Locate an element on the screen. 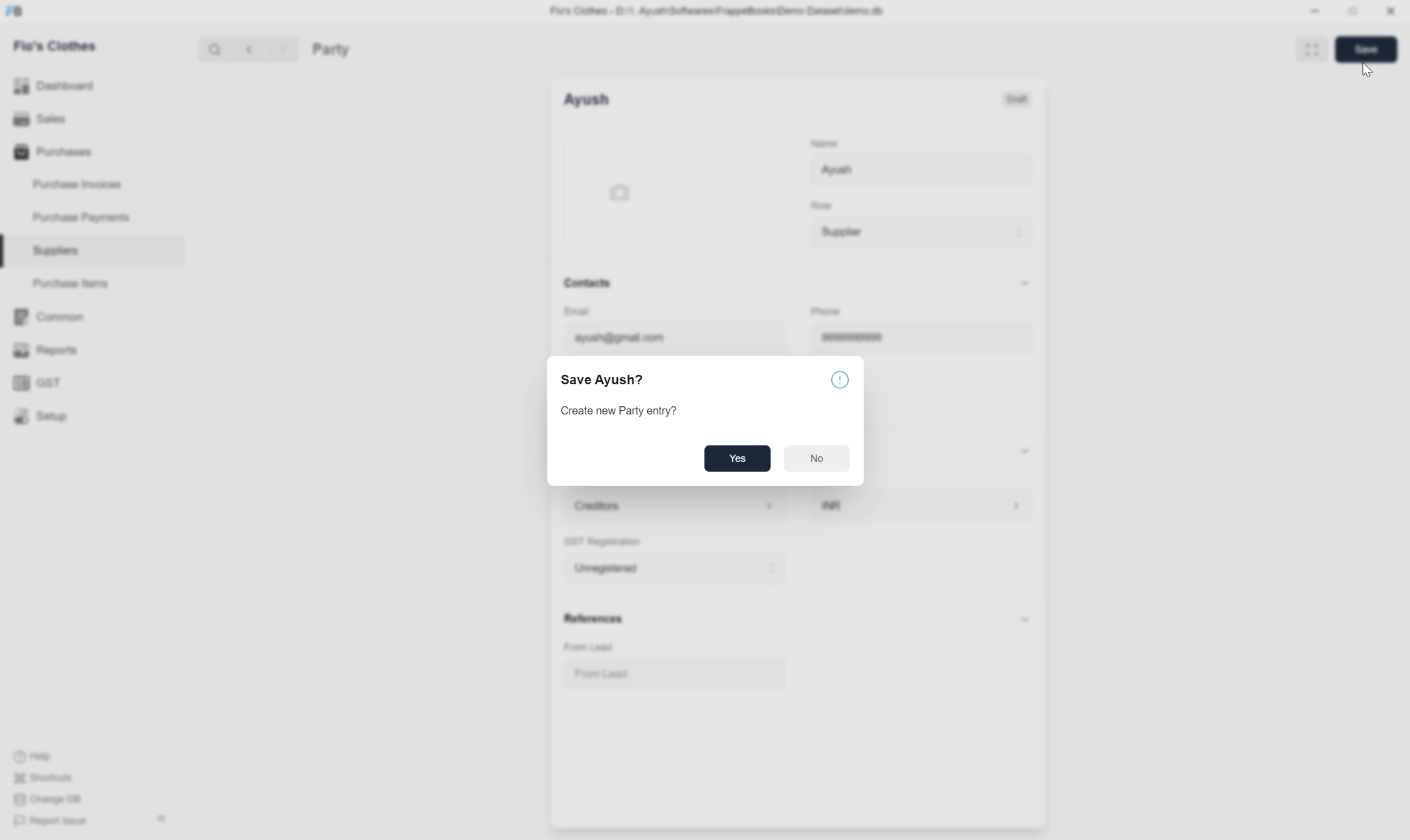 This screenshot has height=840, width=1410. Click to collapse is located at coordinates (1026, 619).